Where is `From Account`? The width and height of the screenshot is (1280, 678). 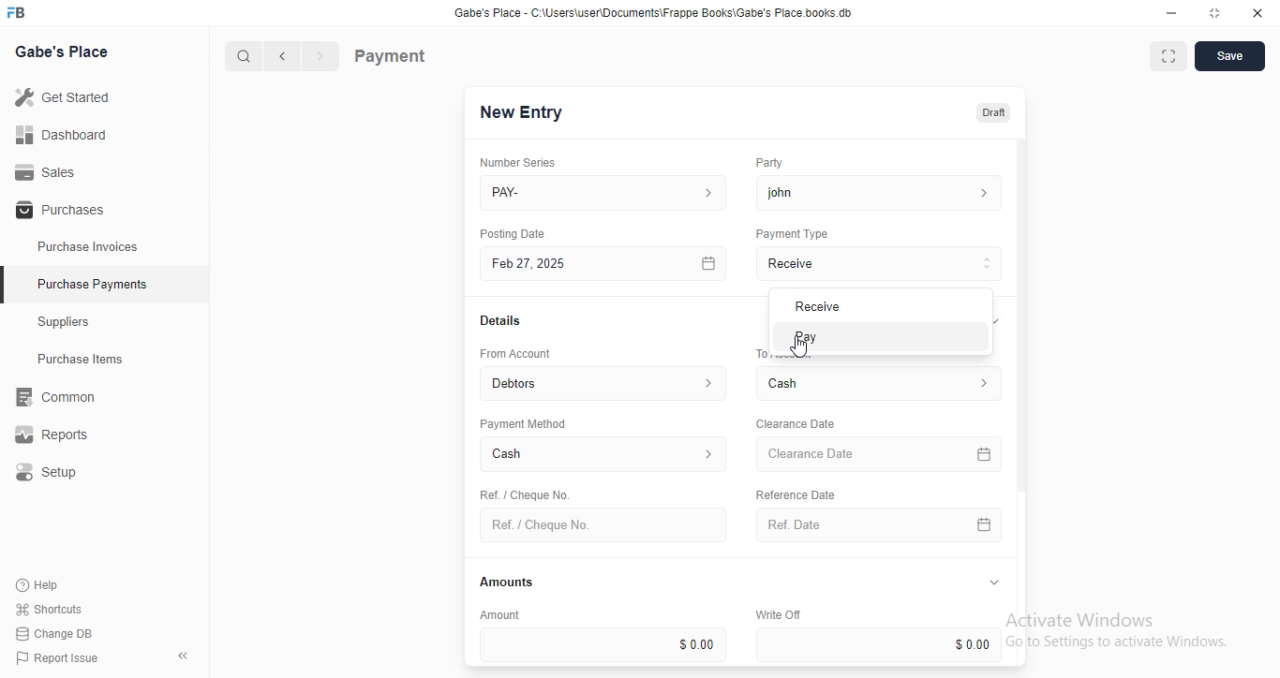 From Account is located at coordinates (605, 382).